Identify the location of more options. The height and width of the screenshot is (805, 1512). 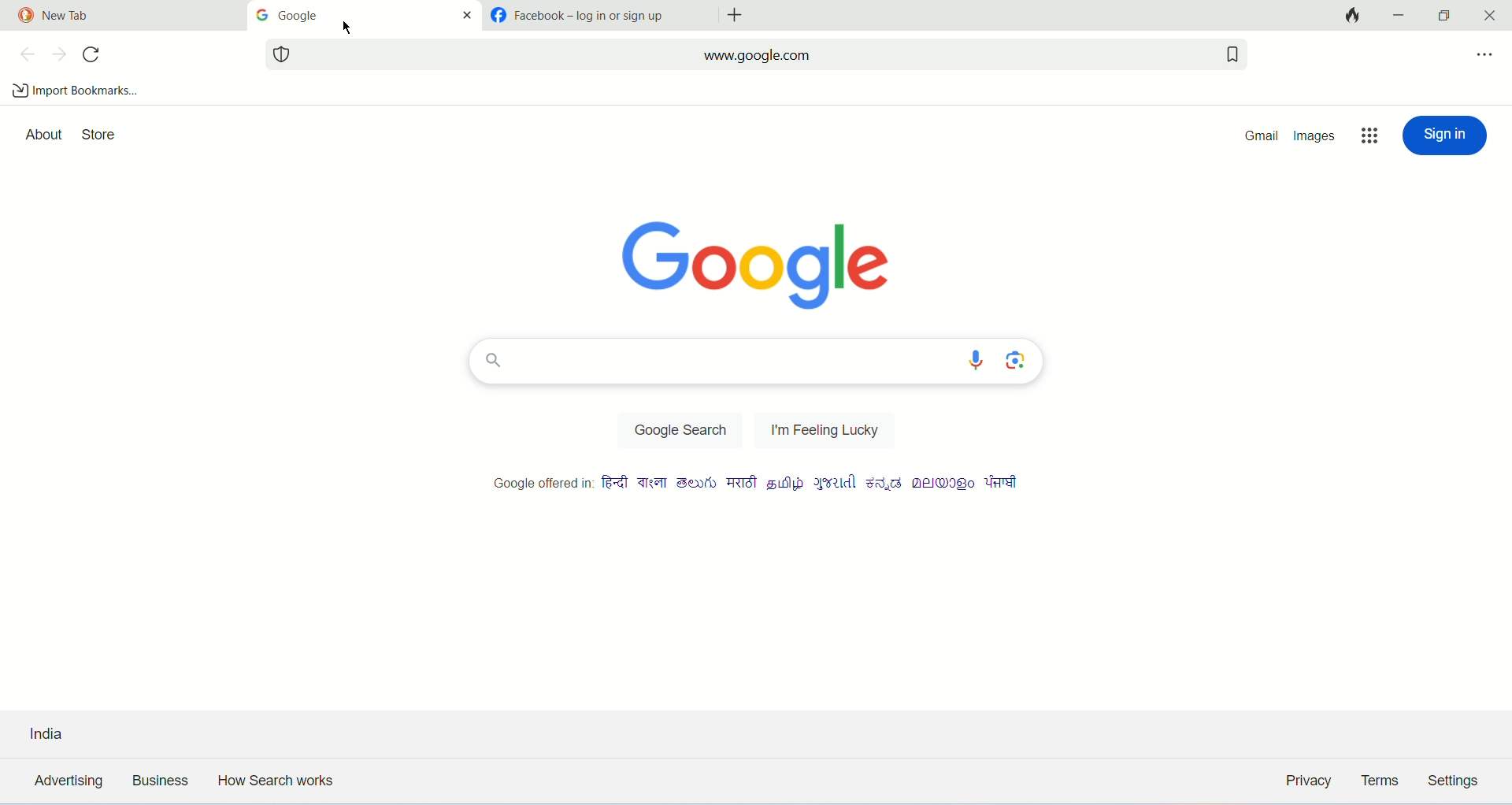
(1487, 61).